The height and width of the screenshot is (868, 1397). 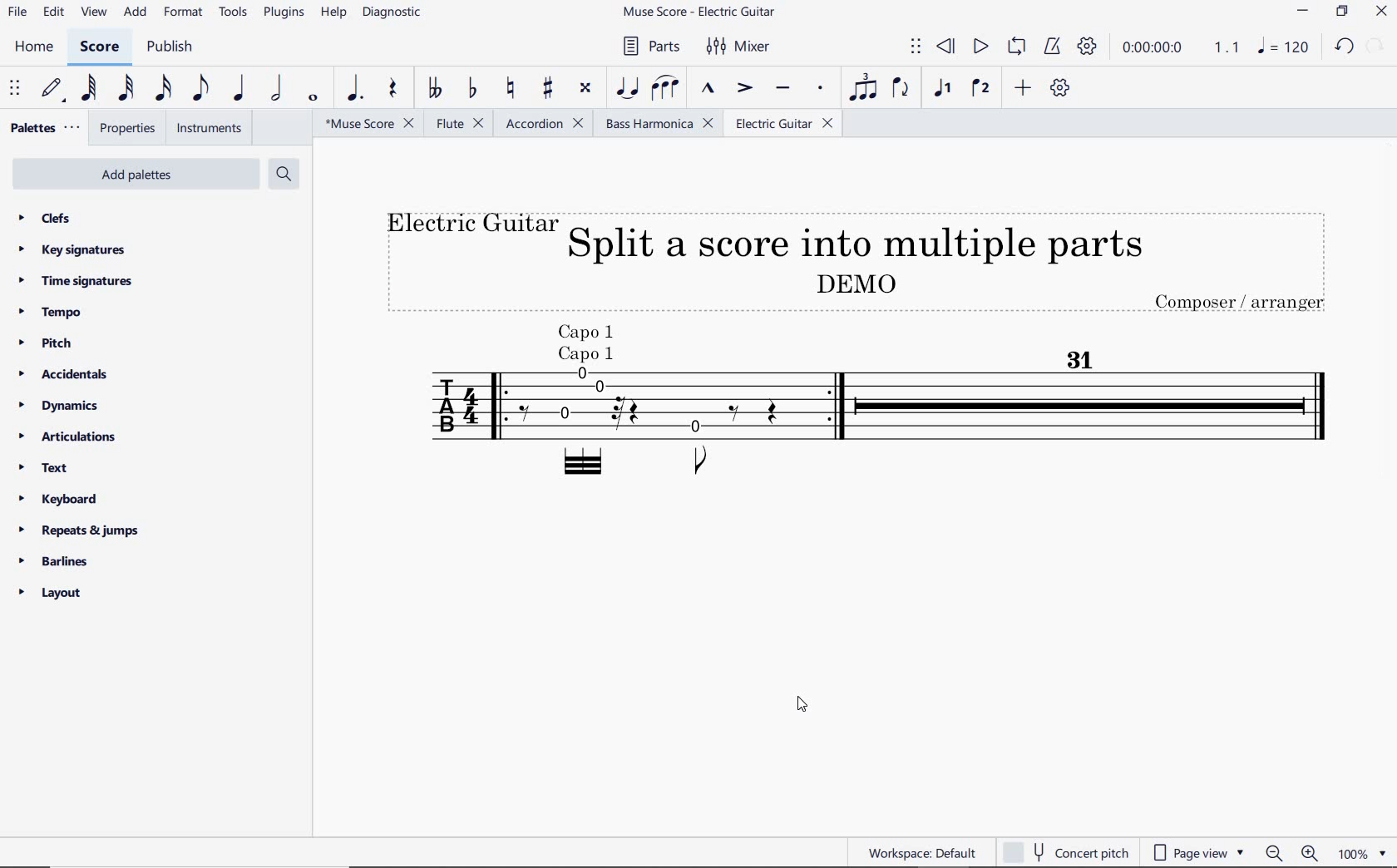 I want to click on Title (electric guitar), so click(x=853, y=259).